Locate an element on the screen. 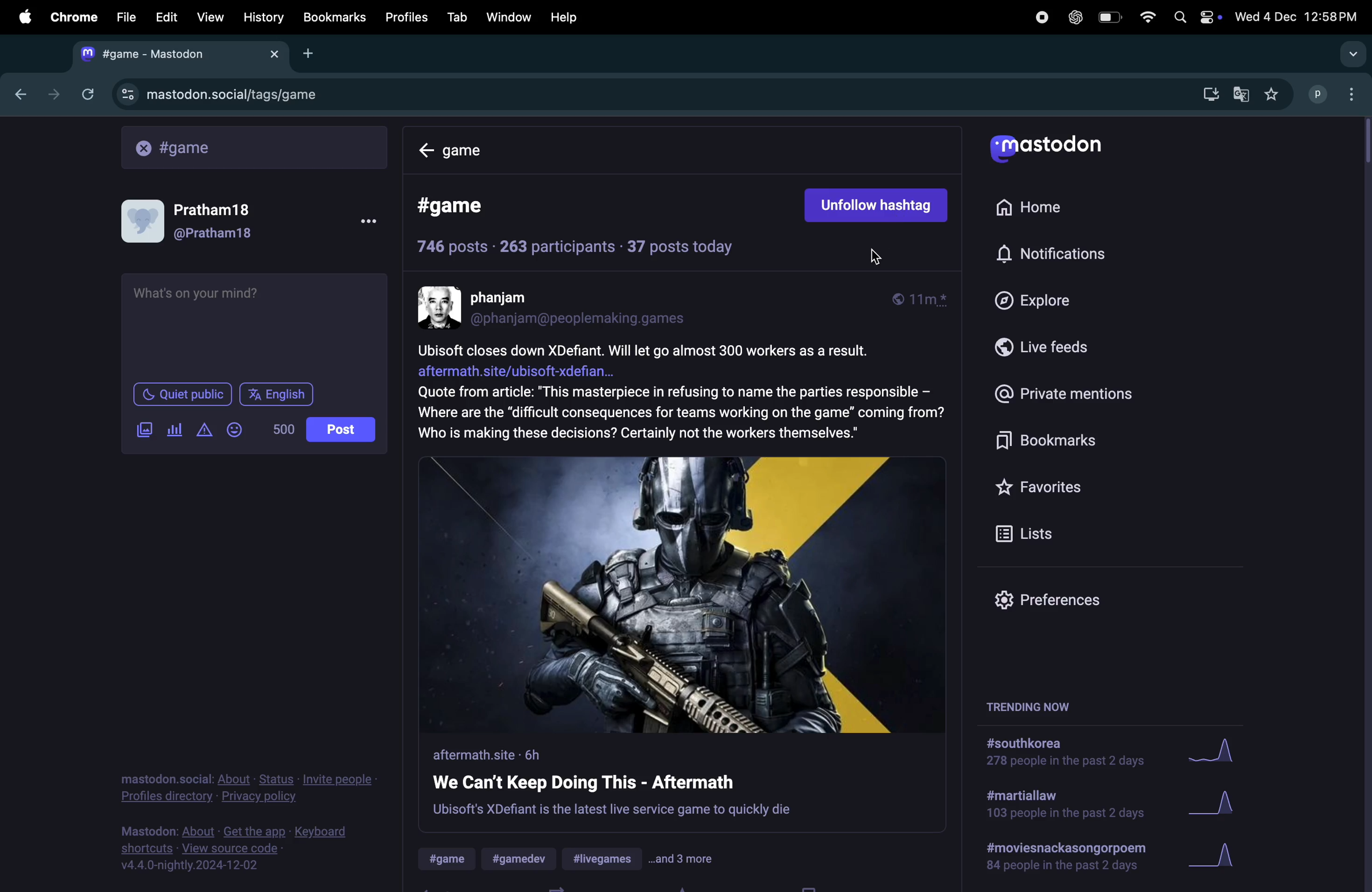 The width and height of the screenshot is (1372, 892). Tab is located at coordinates (457, 16).